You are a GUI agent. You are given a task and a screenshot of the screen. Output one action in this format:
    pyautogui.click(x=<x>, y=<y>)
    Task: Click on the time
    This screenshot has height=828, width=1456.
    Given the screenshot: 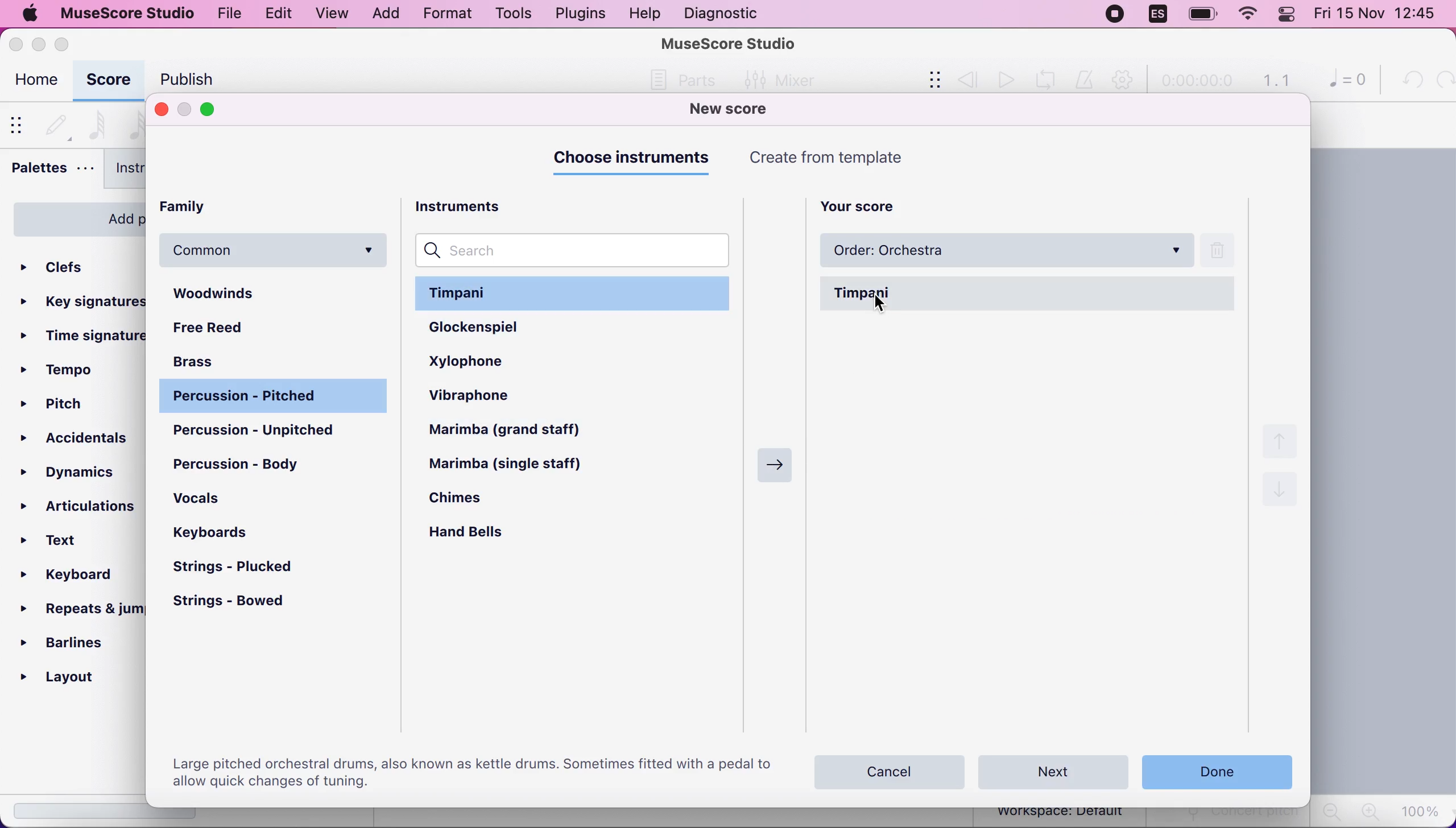 What is the action you would take?
    pyautogui.click(x=1196, y=82)
    